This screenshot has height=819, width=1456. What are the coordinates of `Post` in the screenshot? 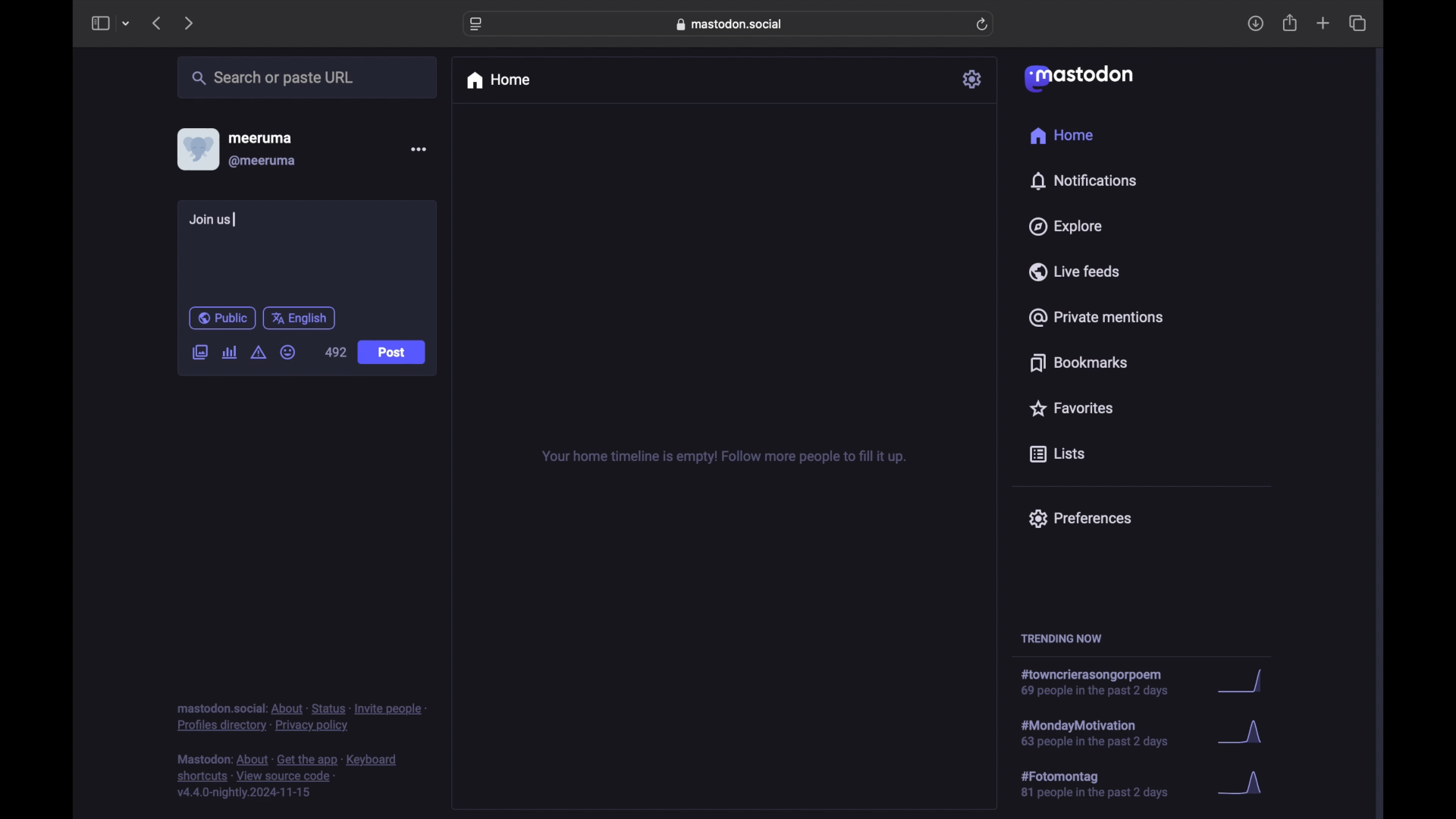 It's located at (394, 354).